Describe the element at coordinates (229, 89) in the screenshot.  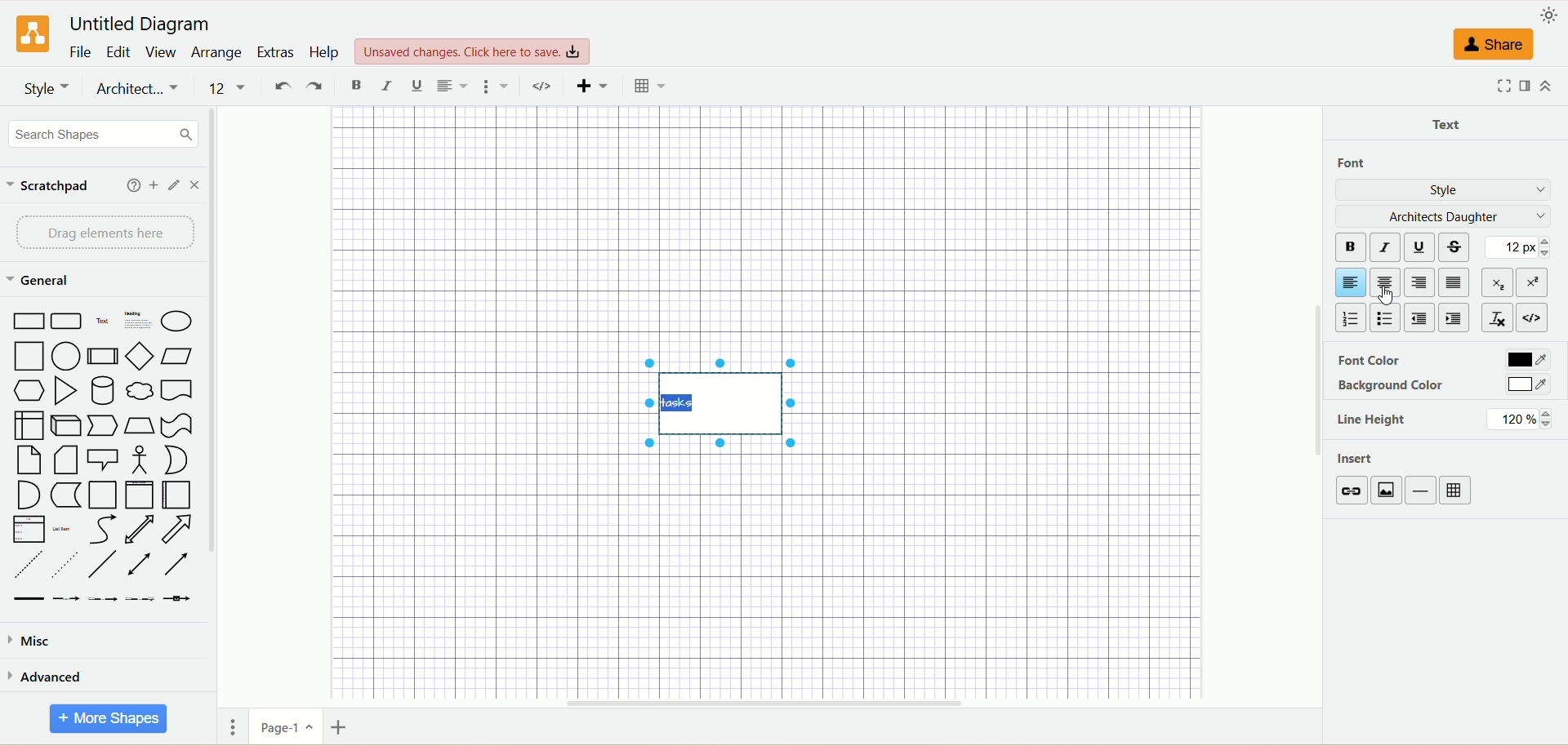
I see `Font Size 12` at that location.